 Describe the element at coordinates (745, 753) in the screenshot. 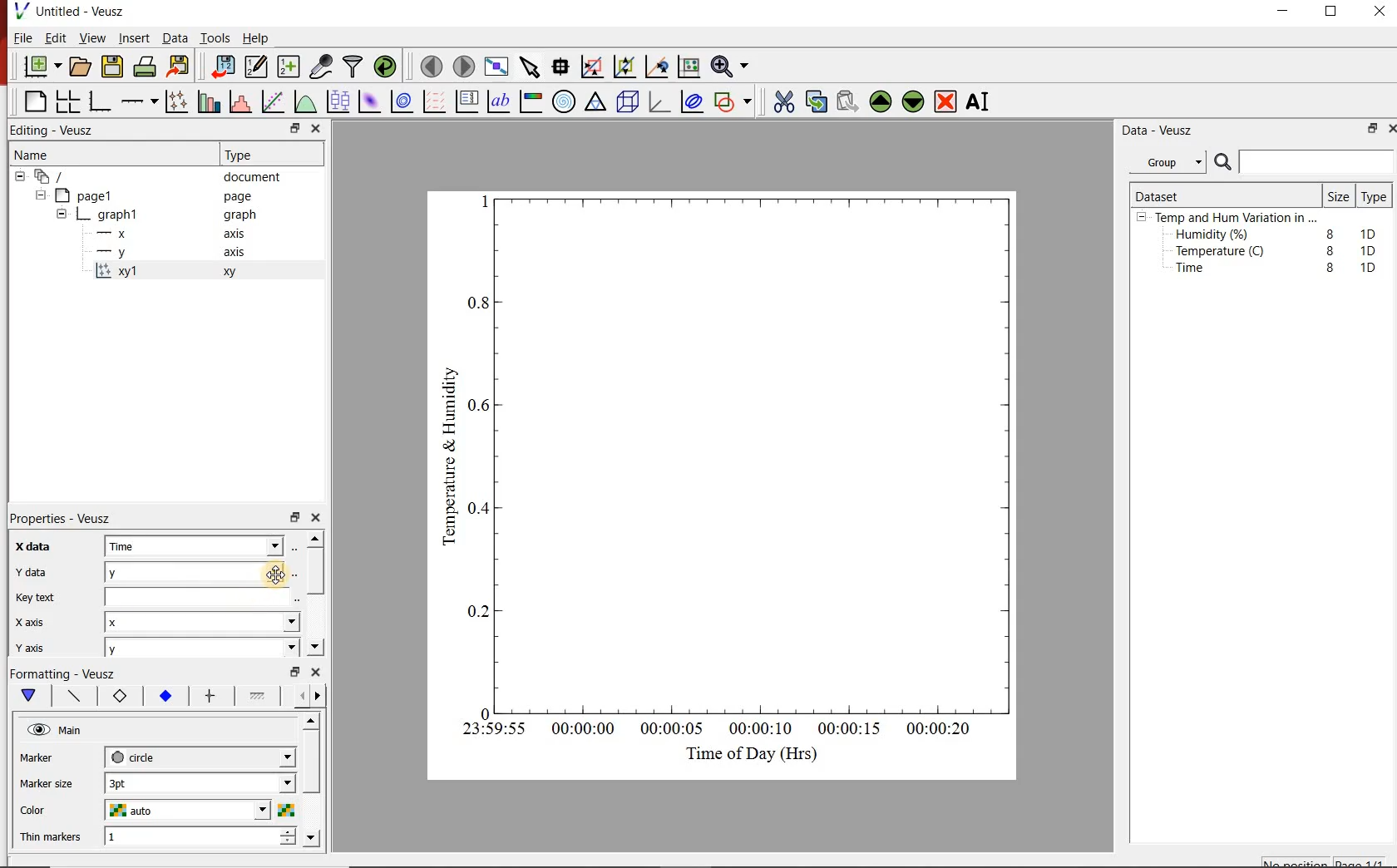

I see `Time of Day (Hrs)` at that location.